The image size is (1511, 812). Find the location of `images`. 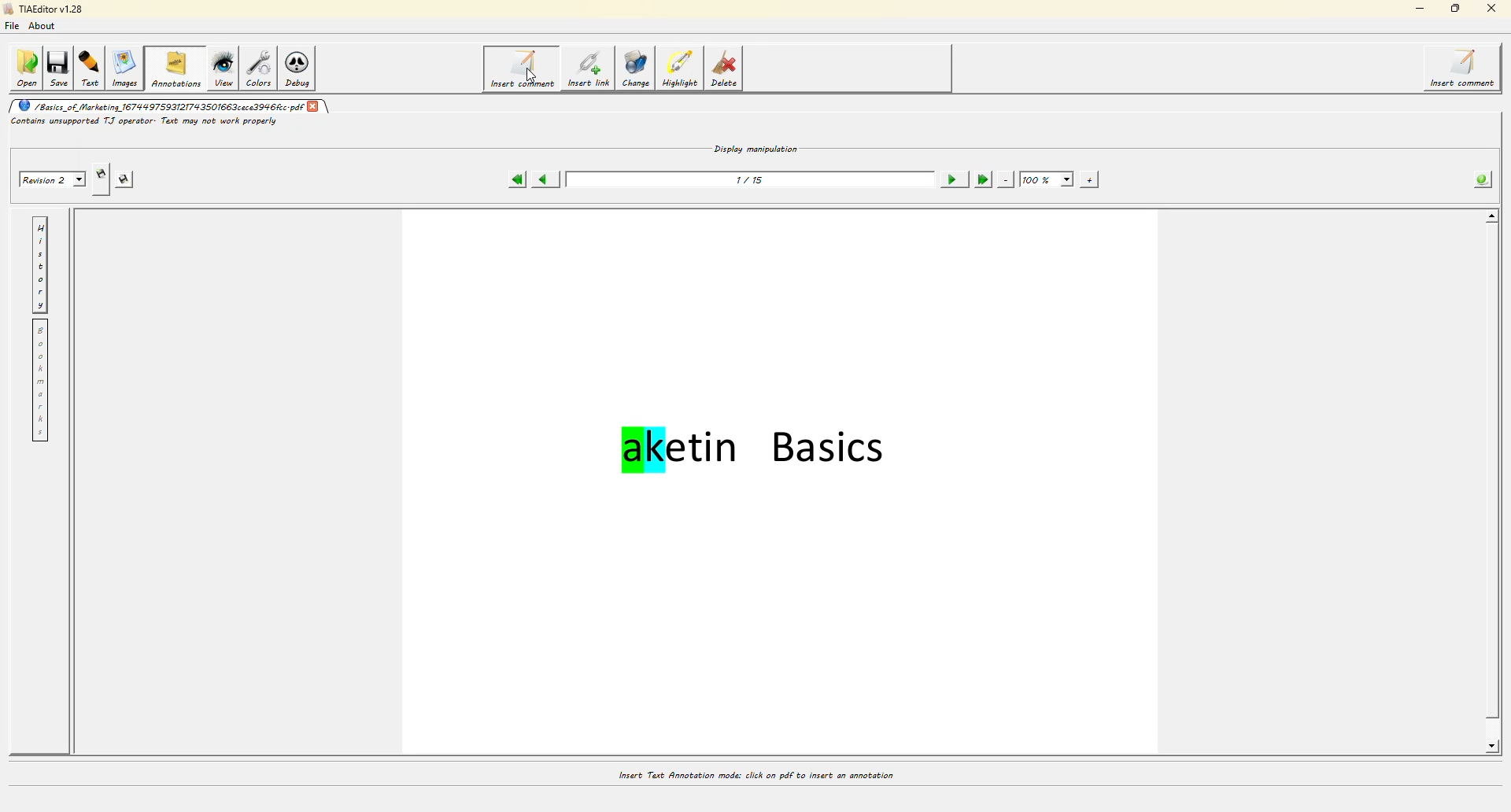

images is located at coordinates (127, 69).